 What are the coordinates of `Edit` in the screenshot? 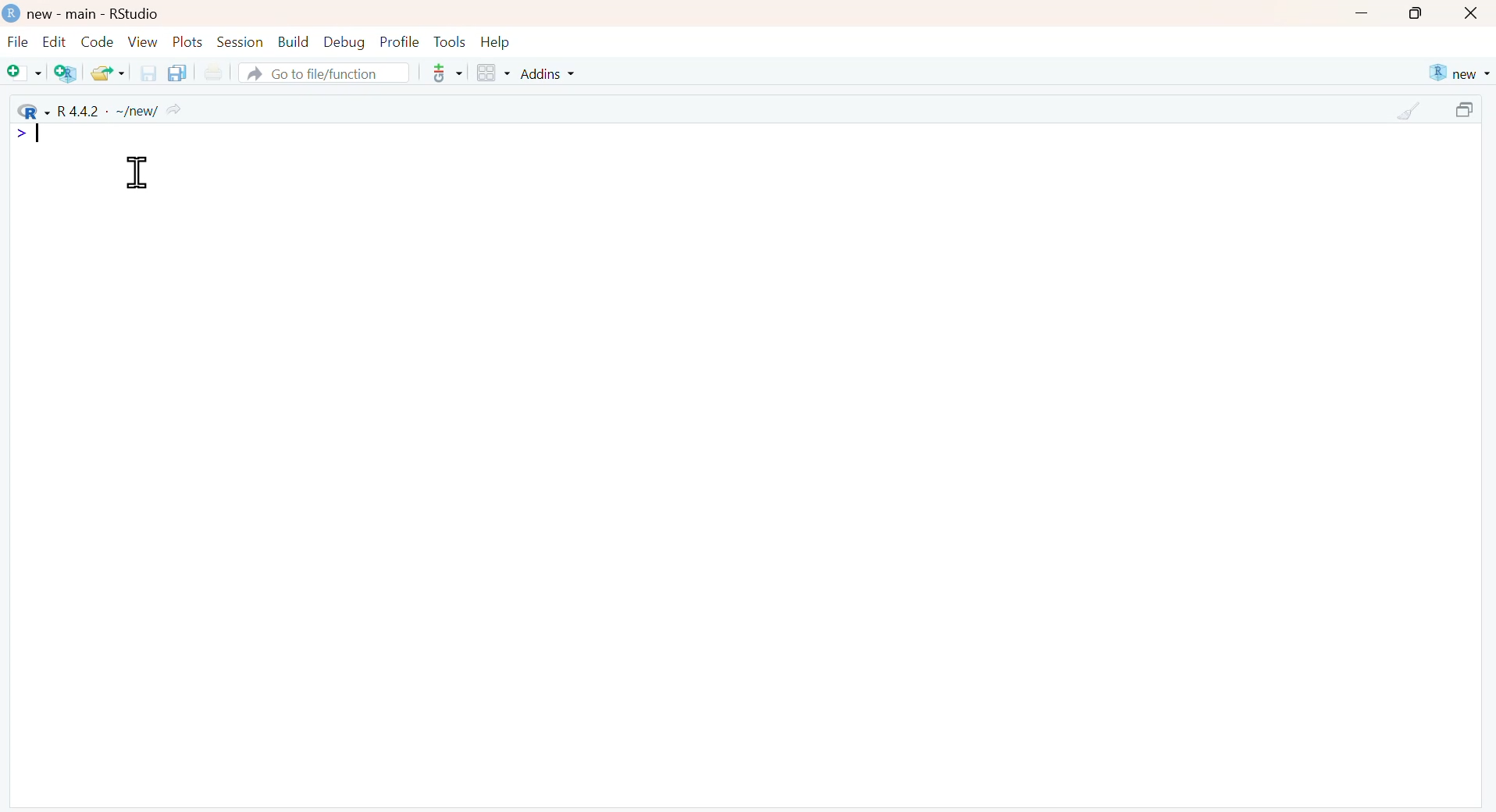 It's located at (54, 41).